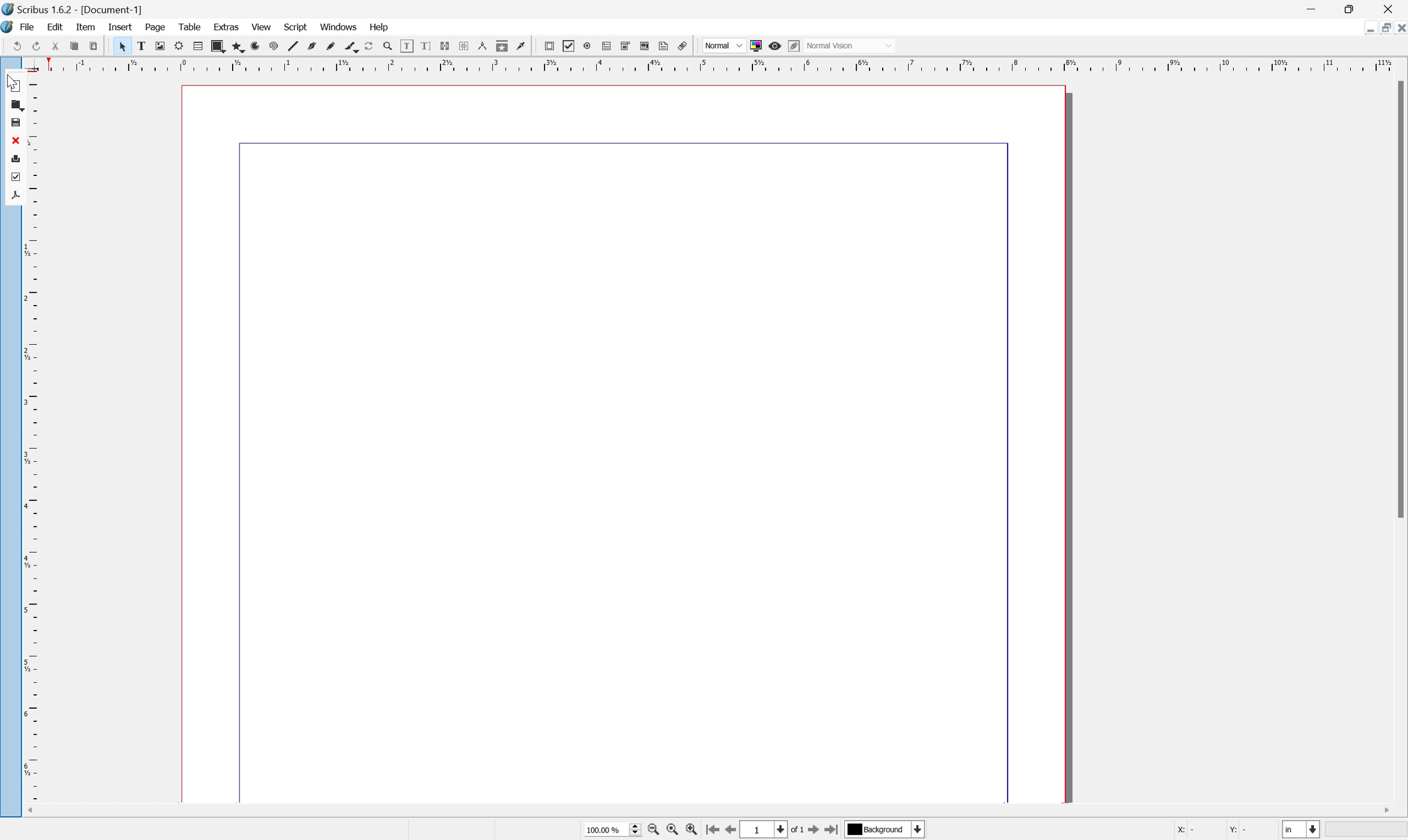  Describe the element at coordinates (568, 46) in the screenshot. I see `edit text with story editor` at that location.